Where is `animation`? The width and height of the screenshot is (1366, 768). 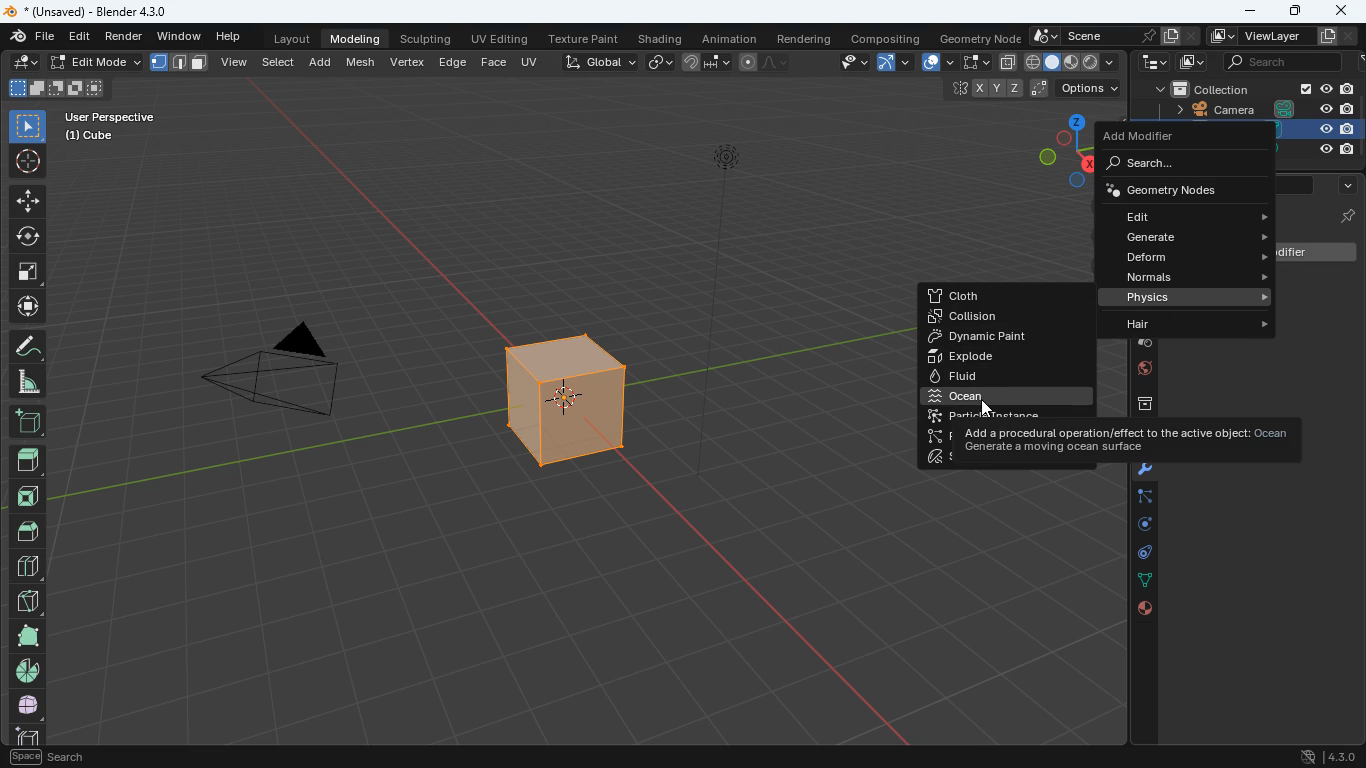
animation is located at coordinates (731, 36).